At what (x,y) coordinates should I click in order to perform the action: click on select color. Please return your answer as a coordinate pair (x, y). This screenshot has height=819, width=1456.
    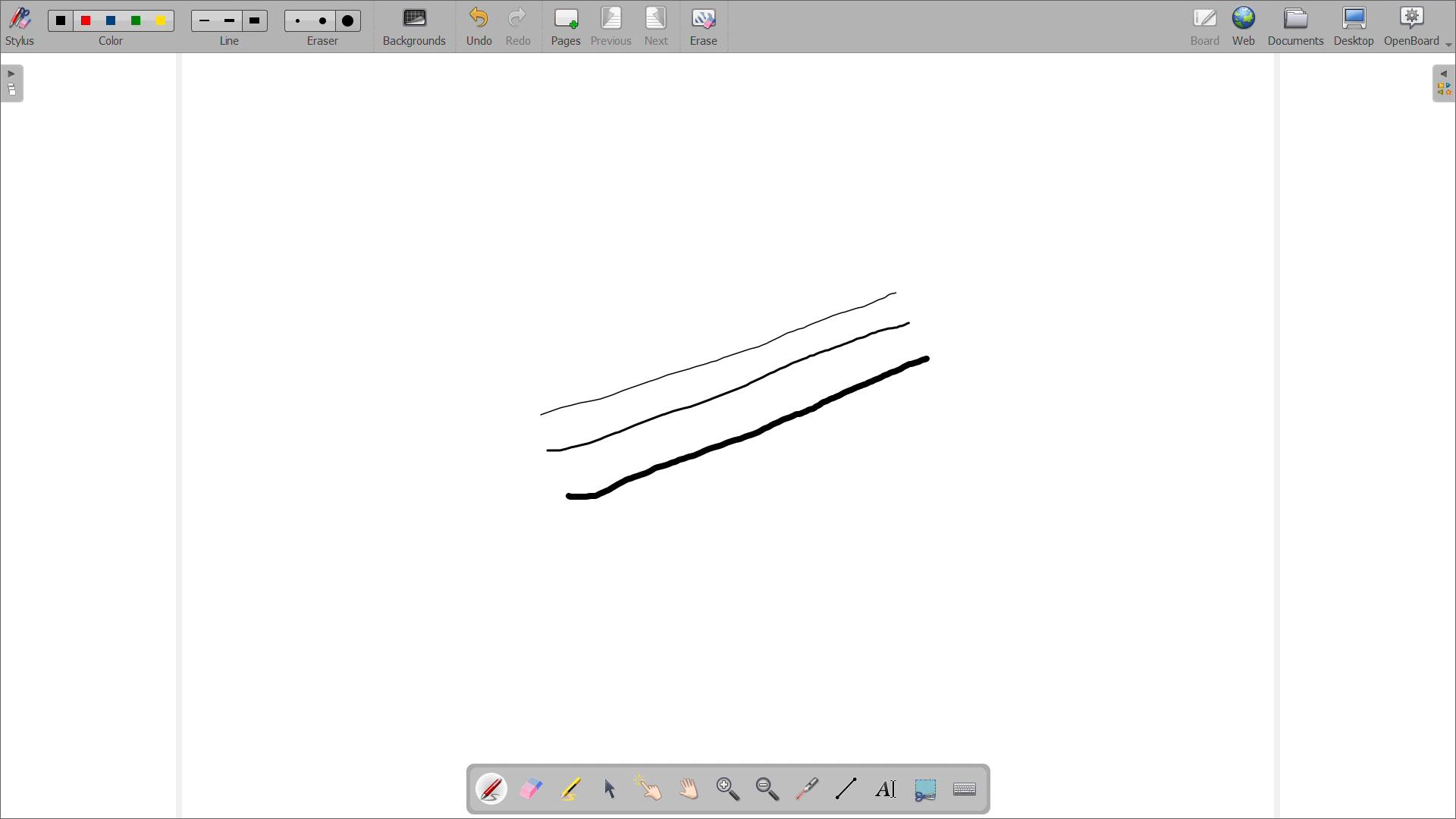
    Looking at the image, I should click on (110, 41).